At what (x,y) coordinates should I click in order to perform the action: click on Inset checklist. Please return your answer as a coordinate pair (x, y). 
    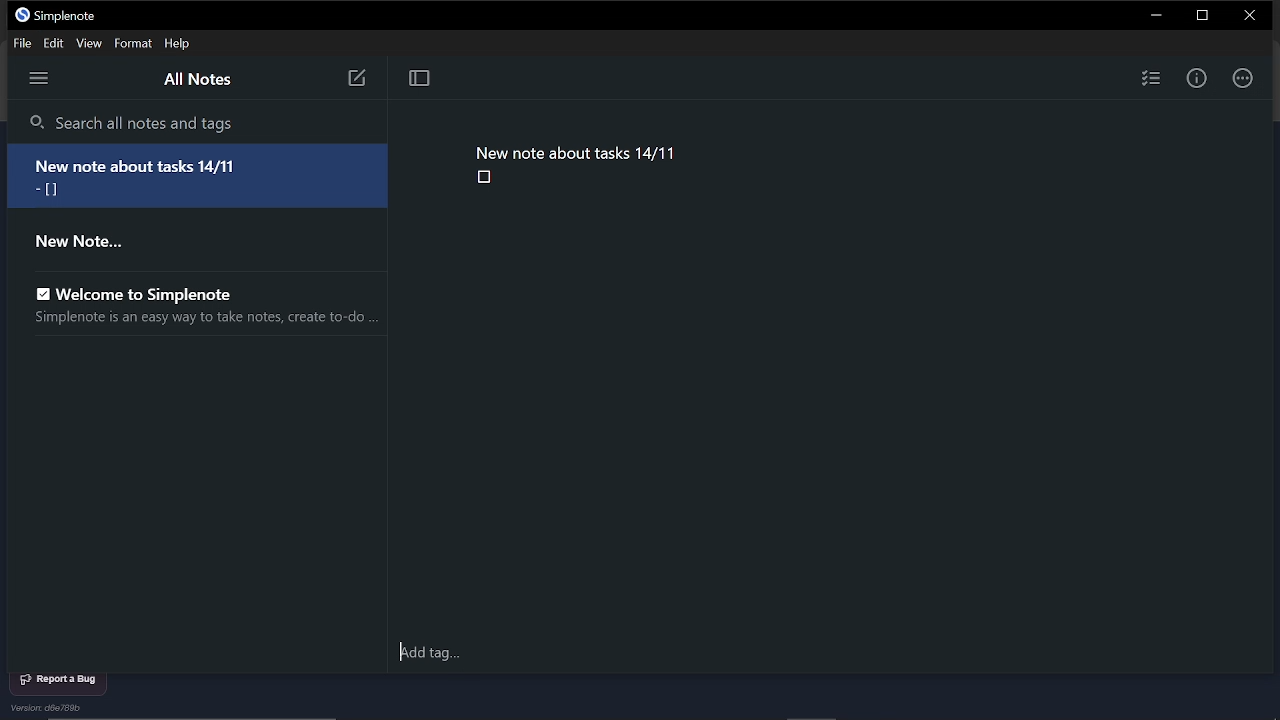
    Looking at the image, I should click on (1150, 79).